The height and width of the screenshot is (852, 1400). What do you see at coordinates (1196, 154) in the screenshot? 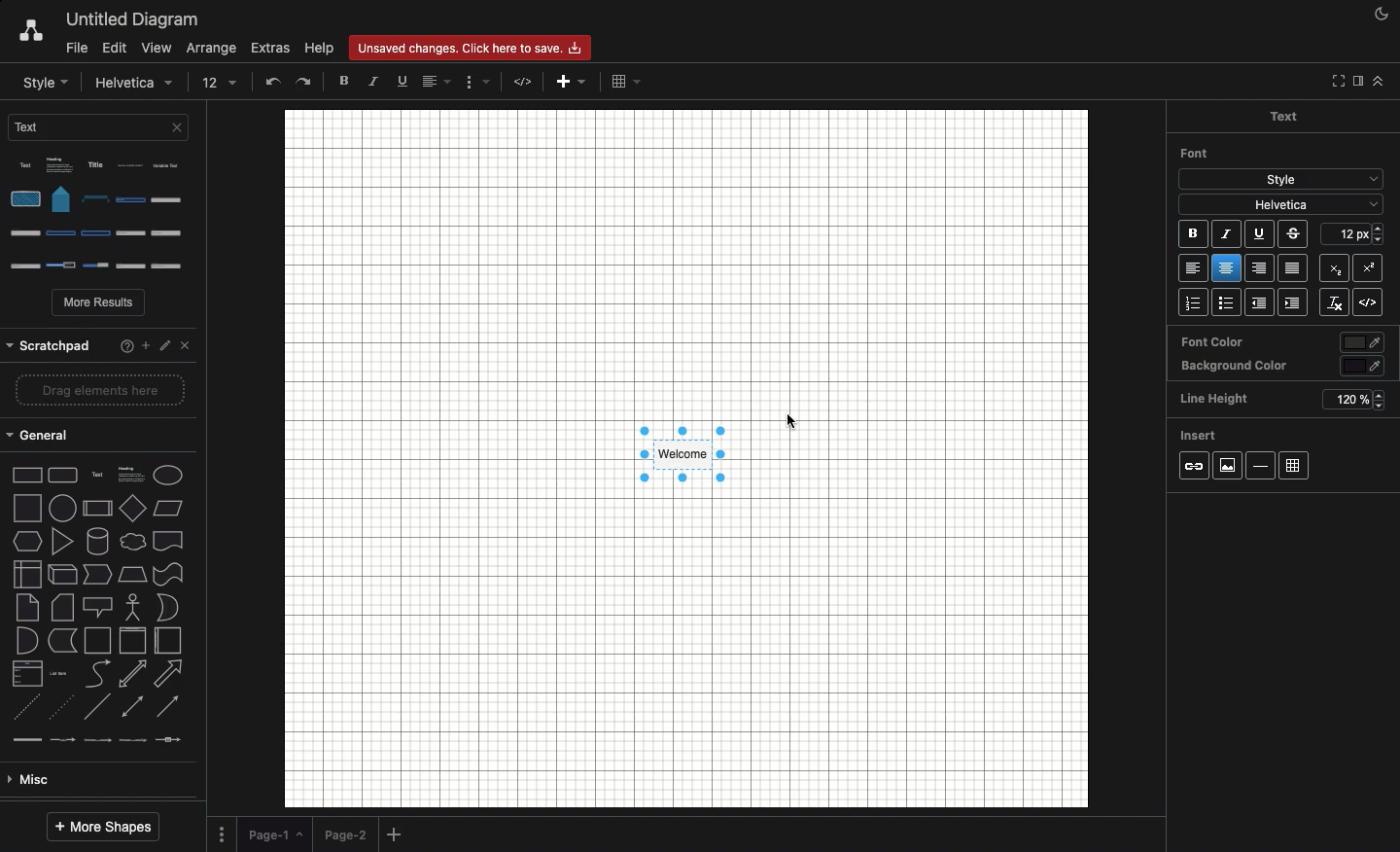
I see `Font` at bounding box center [1196, 154].